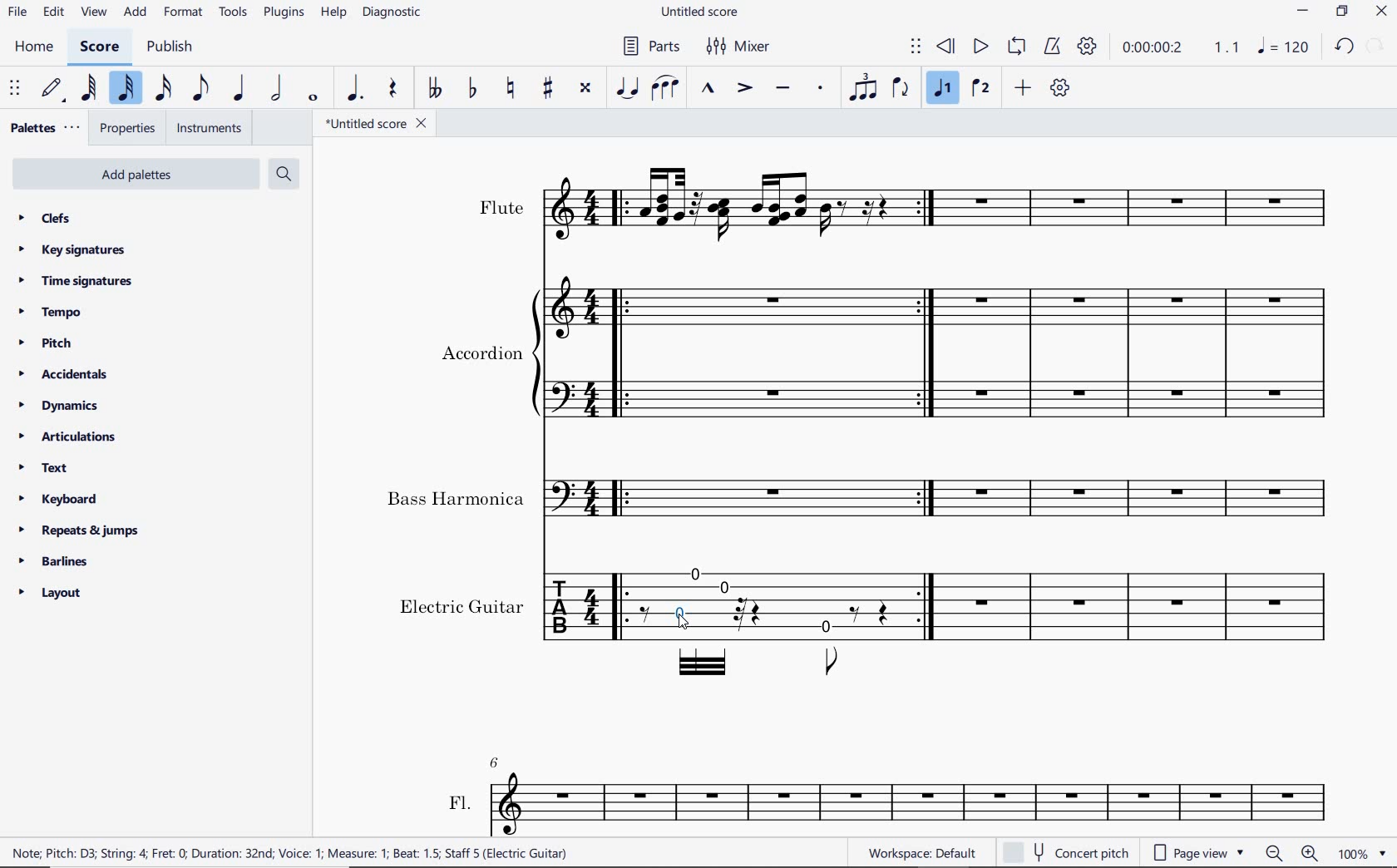  Describe the element at coordinates (1342, 47) in the screenshot. I see `undo` at that location.